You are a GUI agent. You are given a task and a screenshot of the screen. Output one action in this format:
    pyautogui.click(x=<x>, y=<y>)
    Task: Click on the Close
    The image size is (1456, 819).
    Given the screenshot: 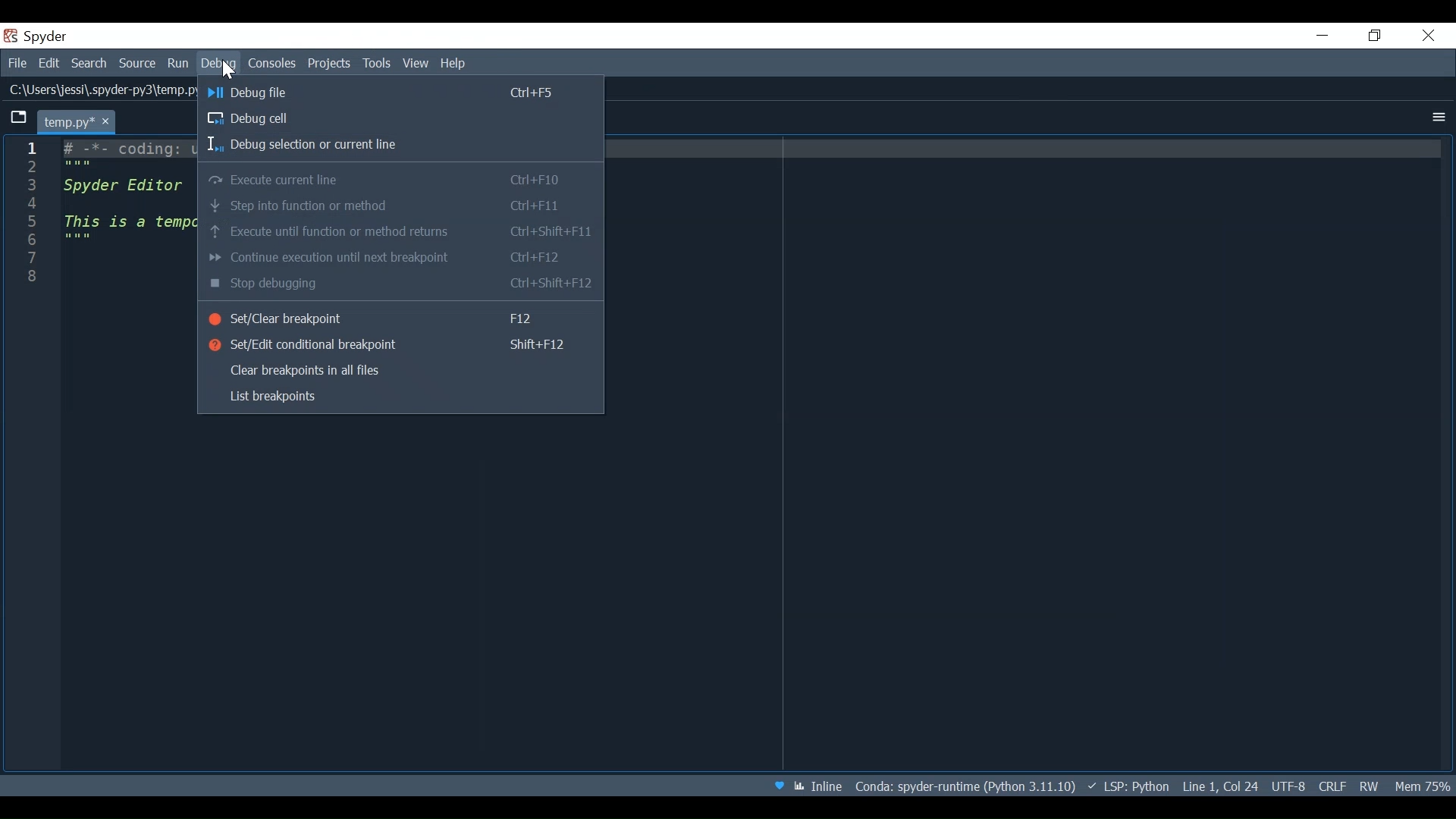 What is the action you would take?
    pyautogui.click(x=1428, y=35)
    